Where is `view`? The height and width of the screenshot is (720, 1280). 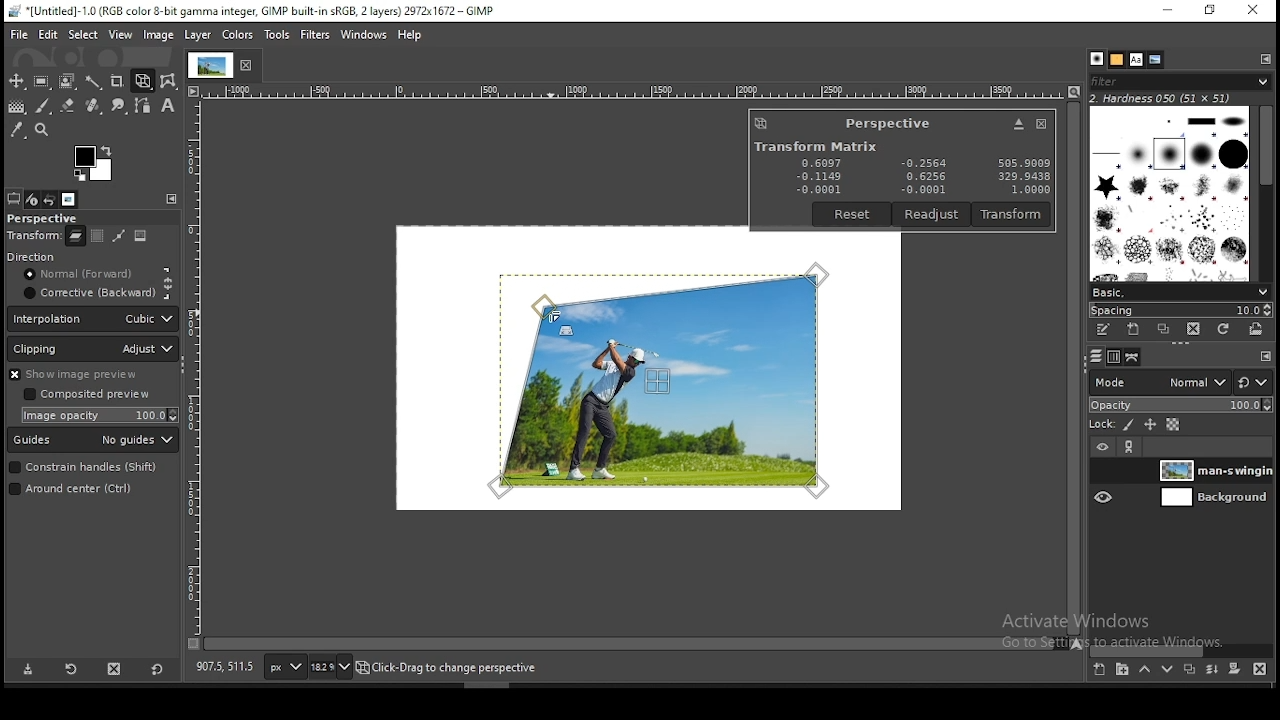 view is located at coordinates (119, 35).